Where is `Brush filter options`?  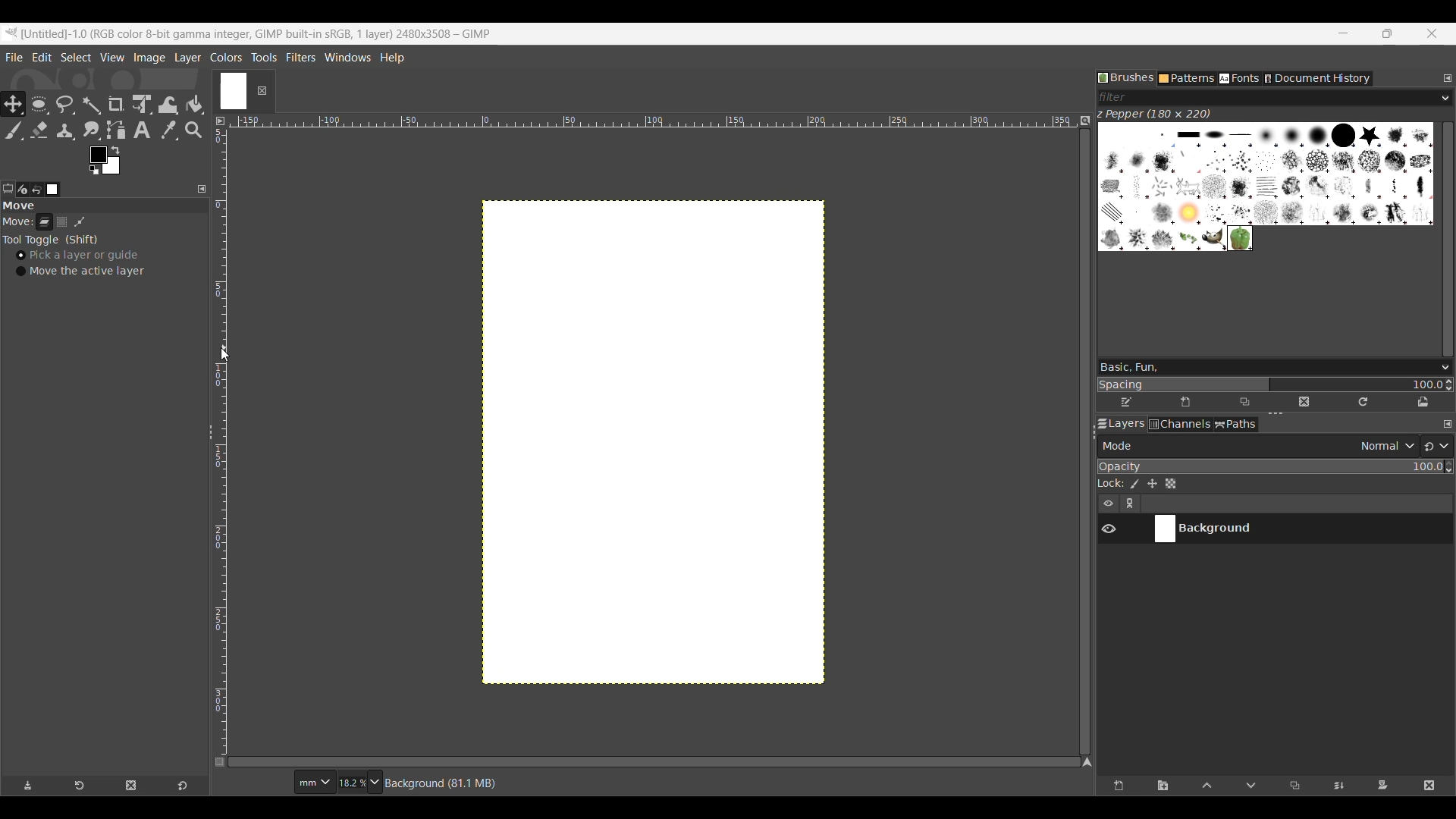
Brush filter options is located at coordinates (1445, 99).